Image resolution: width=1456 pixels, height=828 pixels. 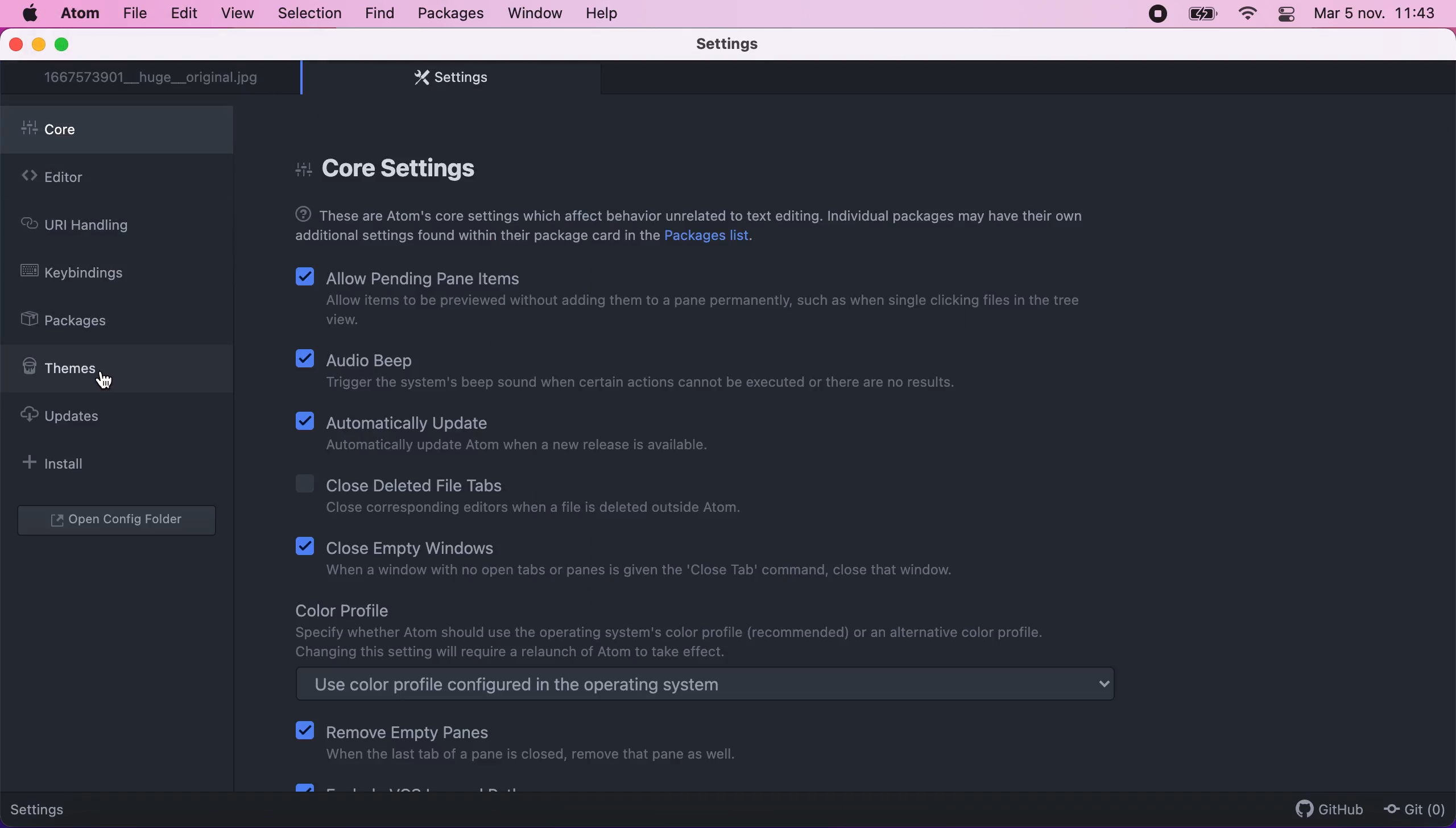 I want to click on Close Deleted File Tabs | Close corresponding editors when a file is deleted outside Atom., so click(x=533, y=498).